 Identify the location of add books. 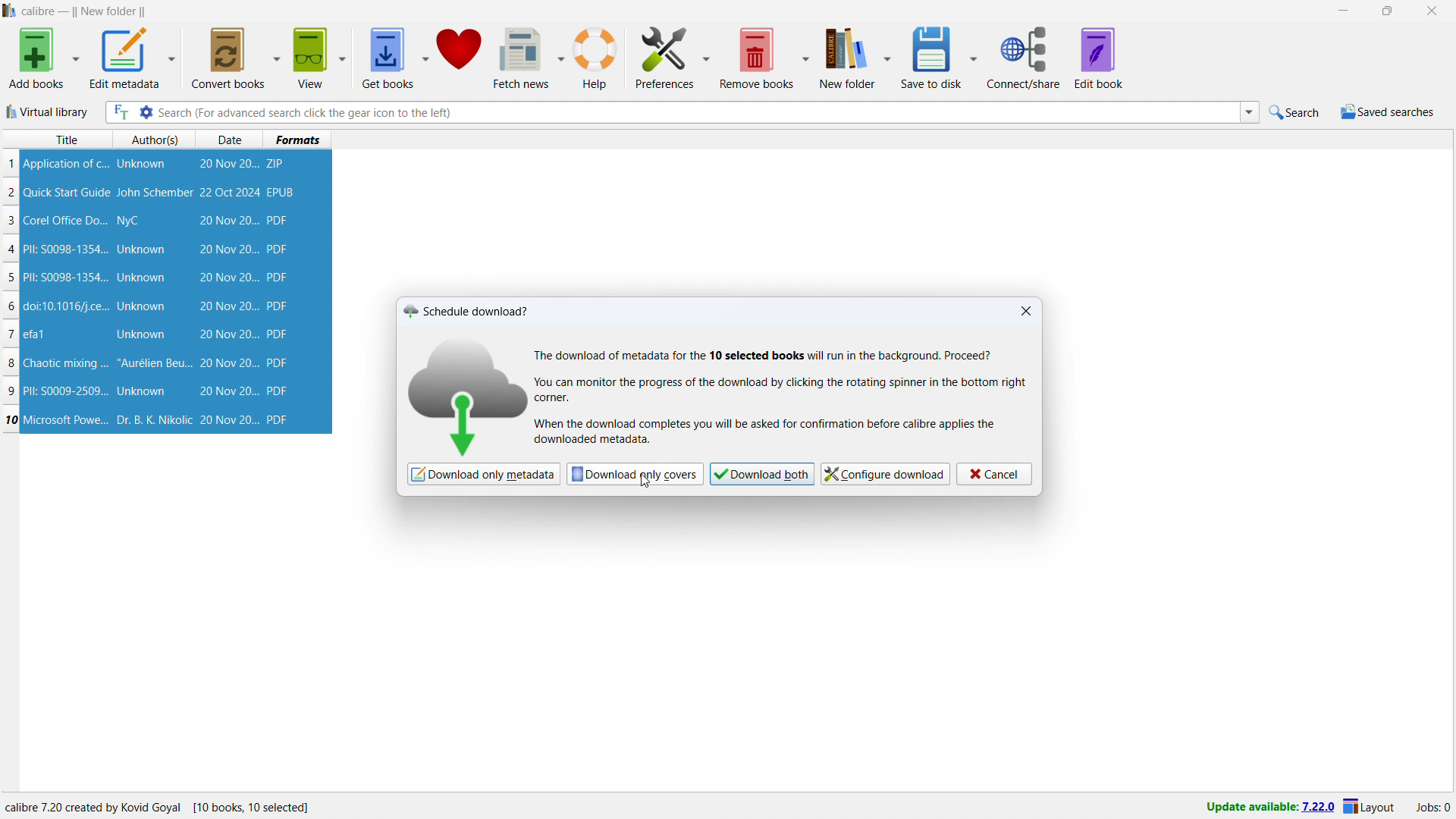
(36, 58).